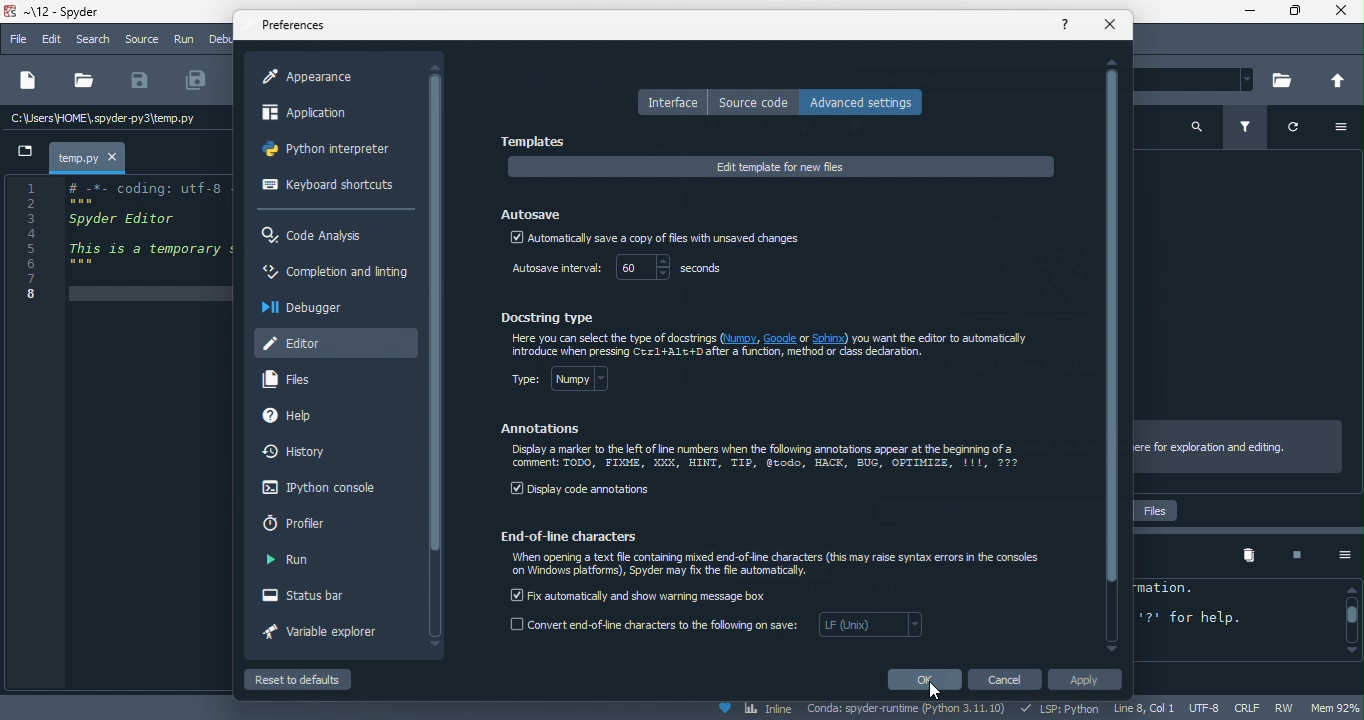 This screenshot has height=720, width=1364. What do you see at coordinates (1111, 25) in the screenshot?
I see `close` at bounding box center [1111, 25].